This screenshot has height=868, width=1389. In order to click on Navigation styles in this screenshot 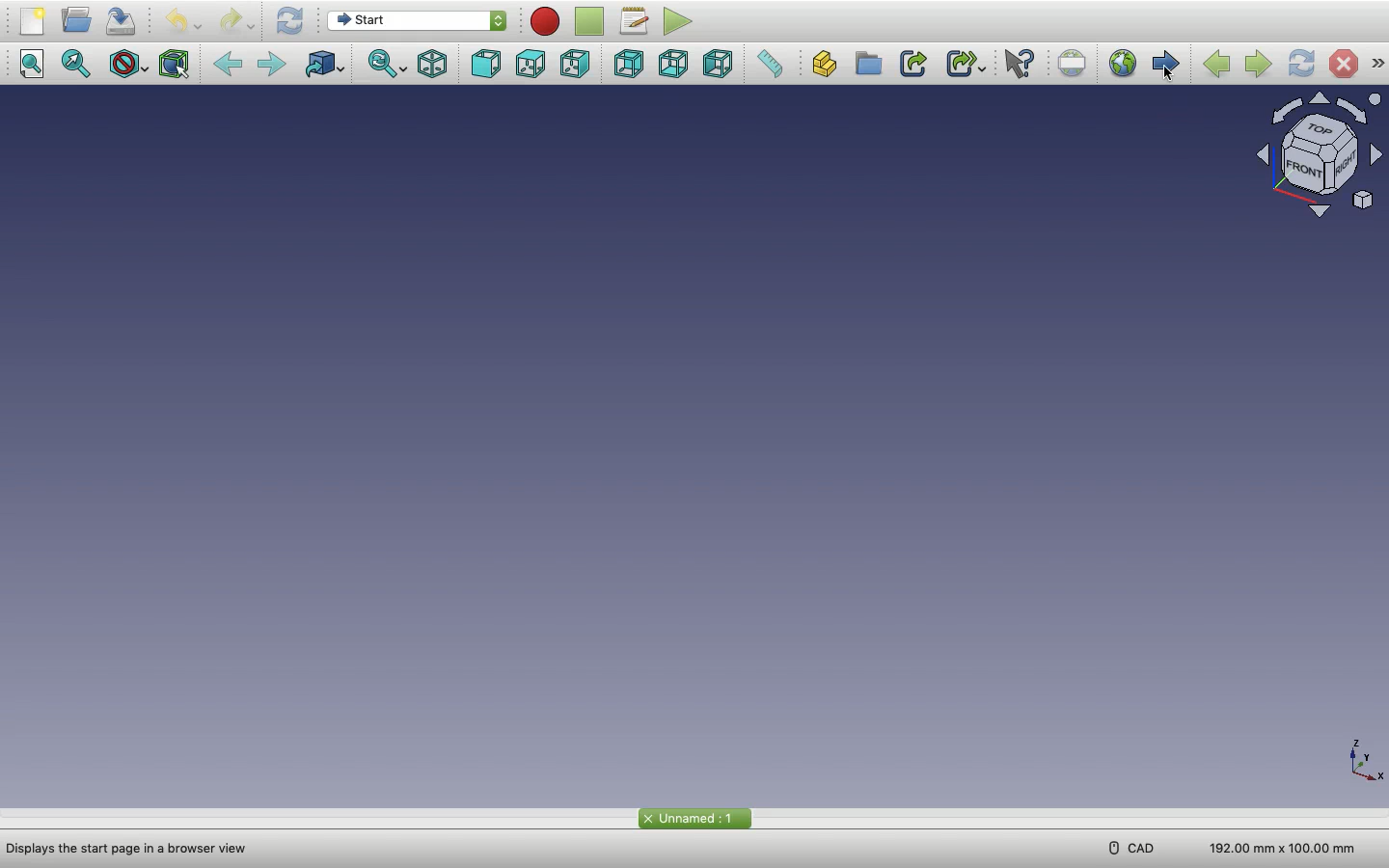, I will do `click(1320, 157)`.